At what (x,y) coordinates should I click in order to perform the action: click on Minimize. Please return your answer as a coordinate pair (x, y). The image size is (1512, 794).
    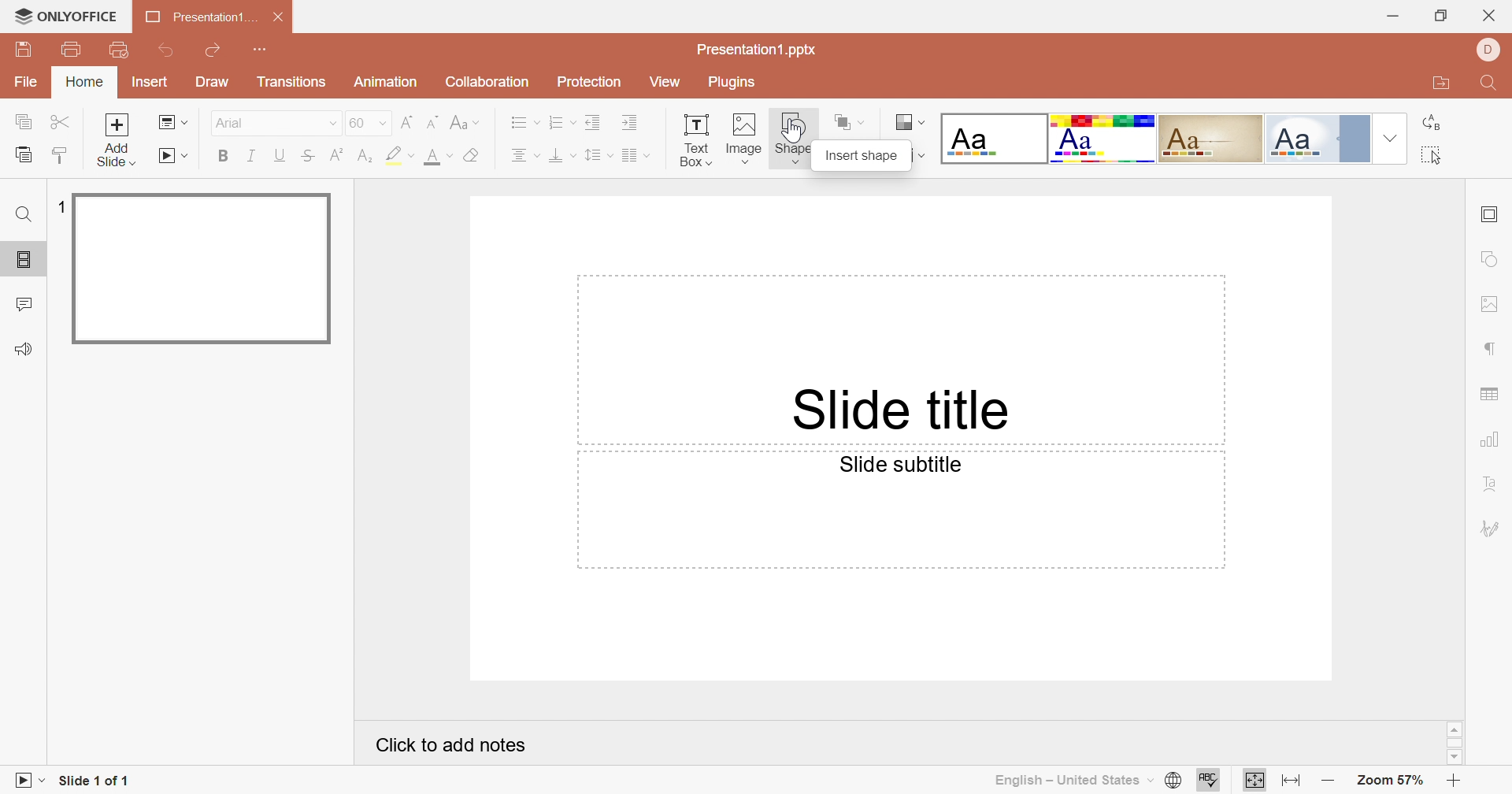
    Looking at the image, I should click on (1395, 17).